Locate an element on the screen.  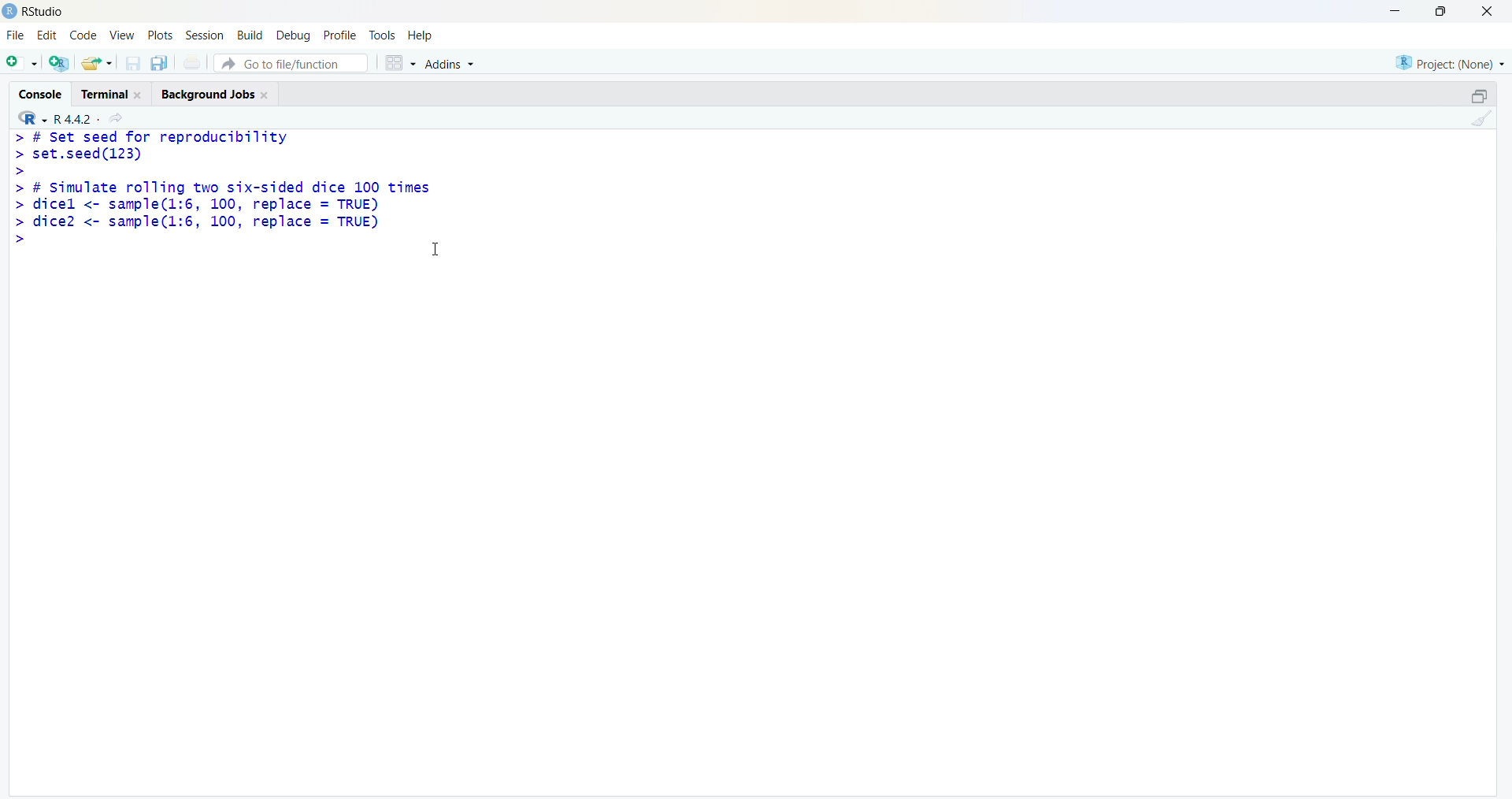
go to file/function is located at coordinates (291, 63).